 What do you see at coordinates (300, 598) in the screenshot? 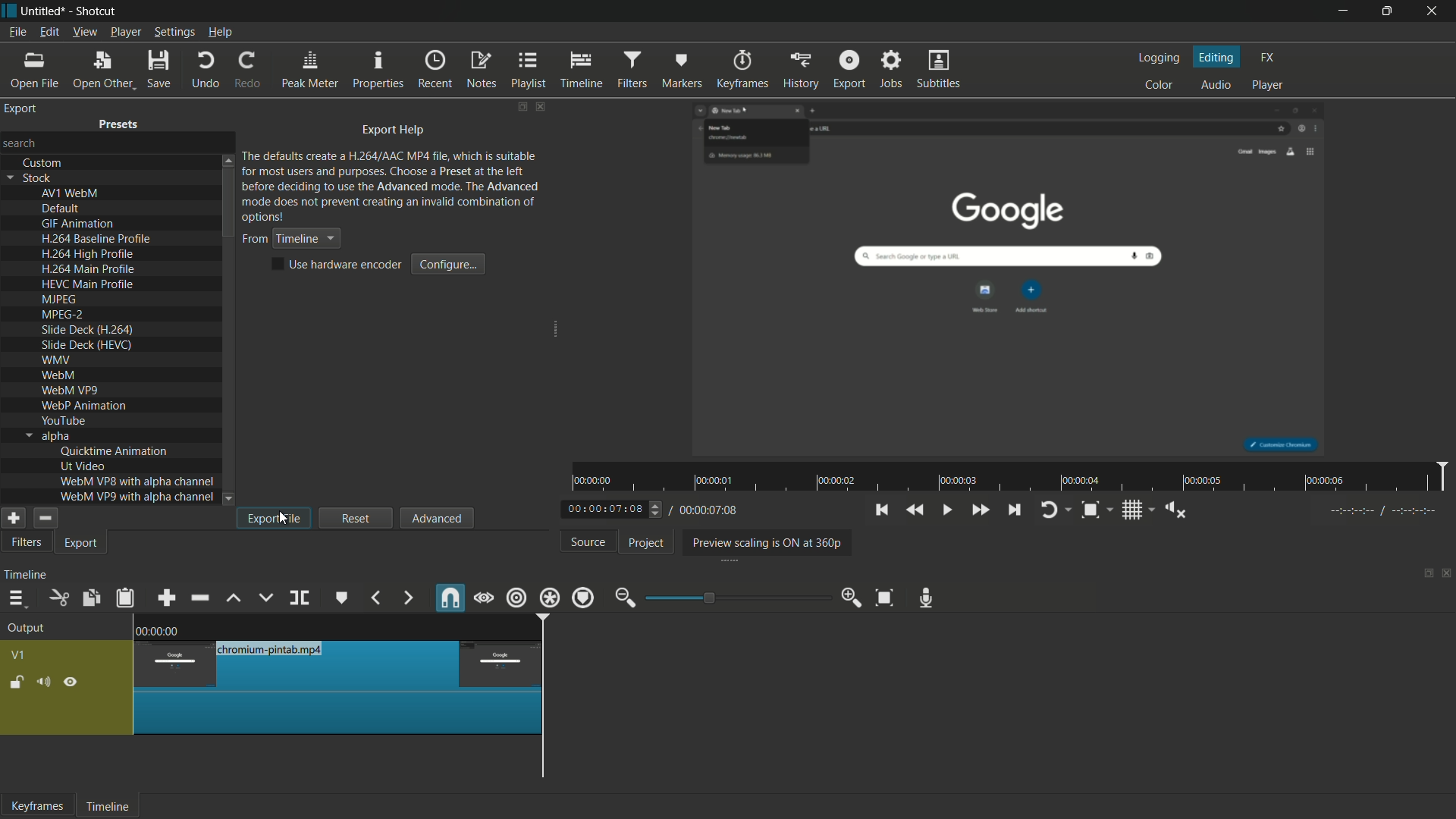
I see `split at playhead` at bounding box center [300, 598].